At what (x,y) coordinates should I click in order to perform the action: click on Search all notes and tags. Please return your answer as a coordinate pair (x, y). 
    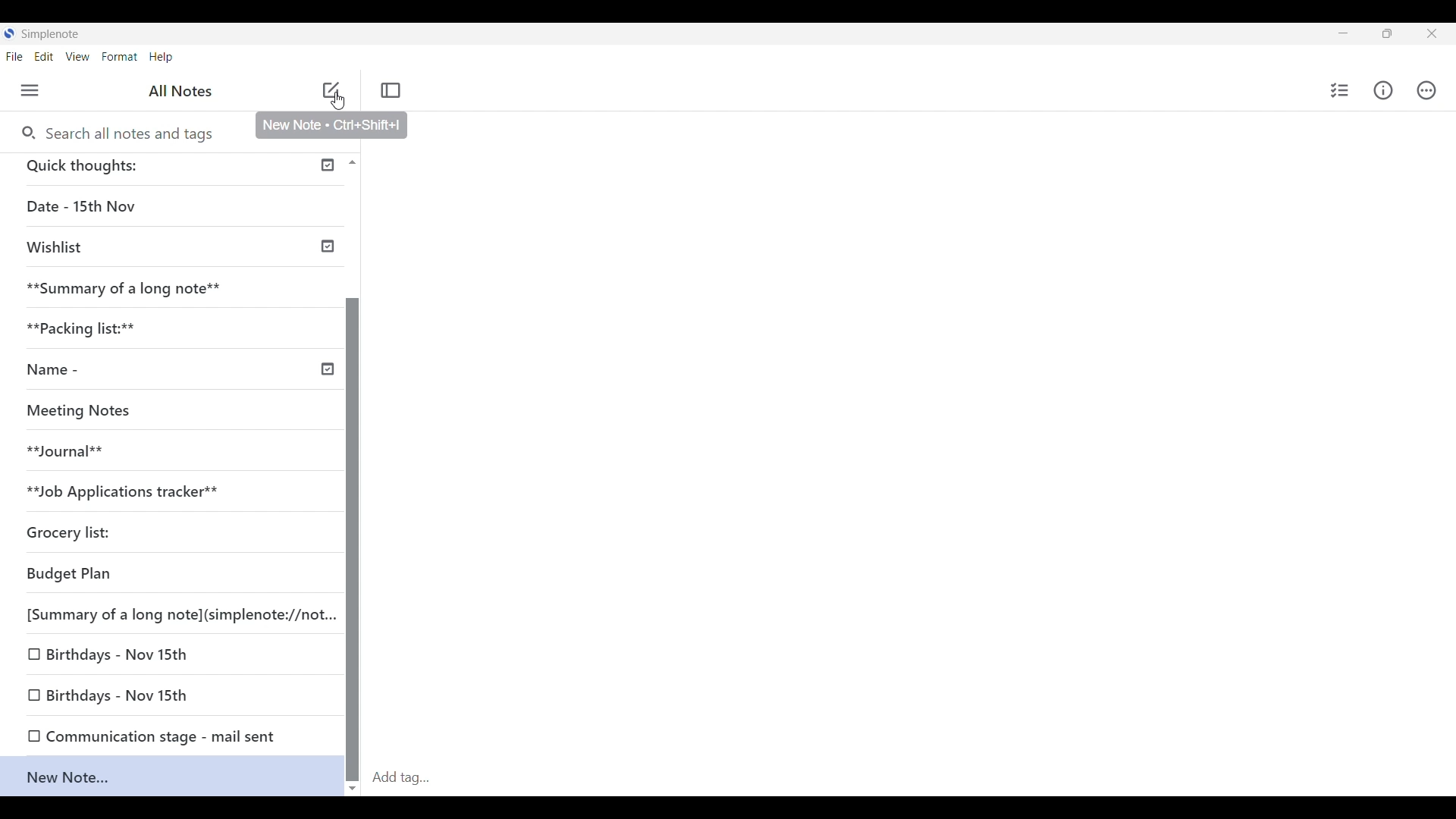
    Looking at the image, I should click on (118, 134).